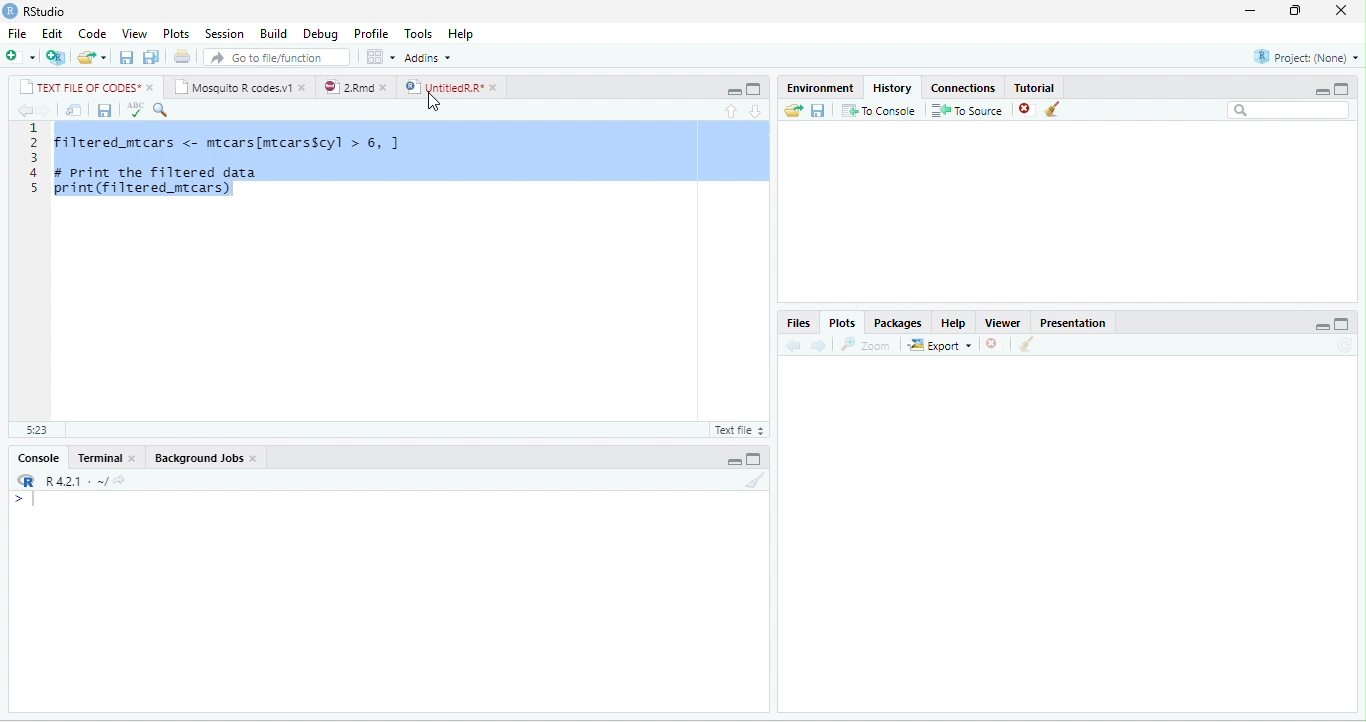  Describe the element at coordinates (232, 143) in the screenshot. I see `filtered_mtcars <- mtcars[mtcarsScyl > 6, ]` at that location.